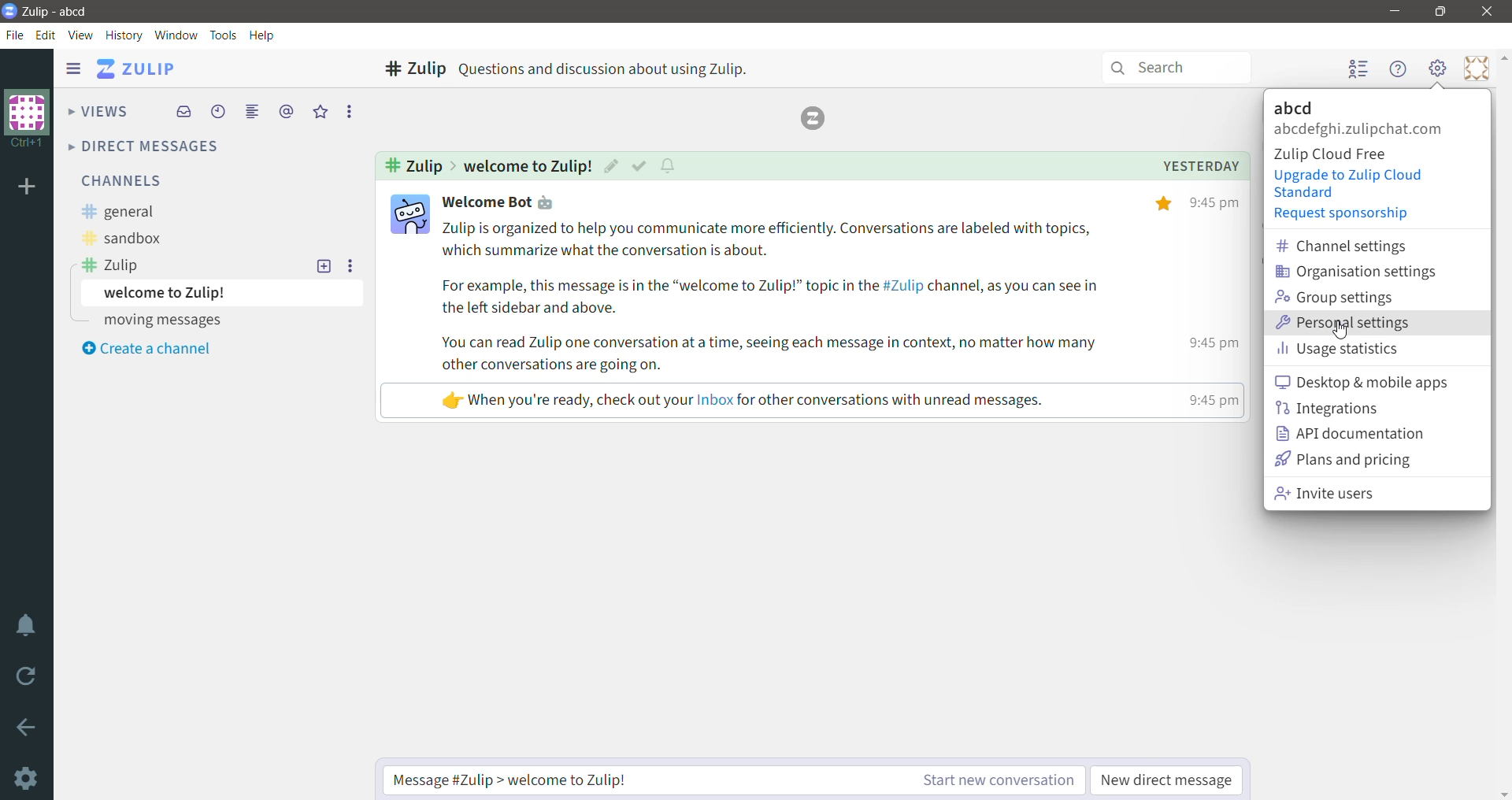 This screenshot has height=800, width=1512. What do you see at coordinates (1335, 494) in the screenshot?
I see `Invite users` at bounding box center [1335, 494].